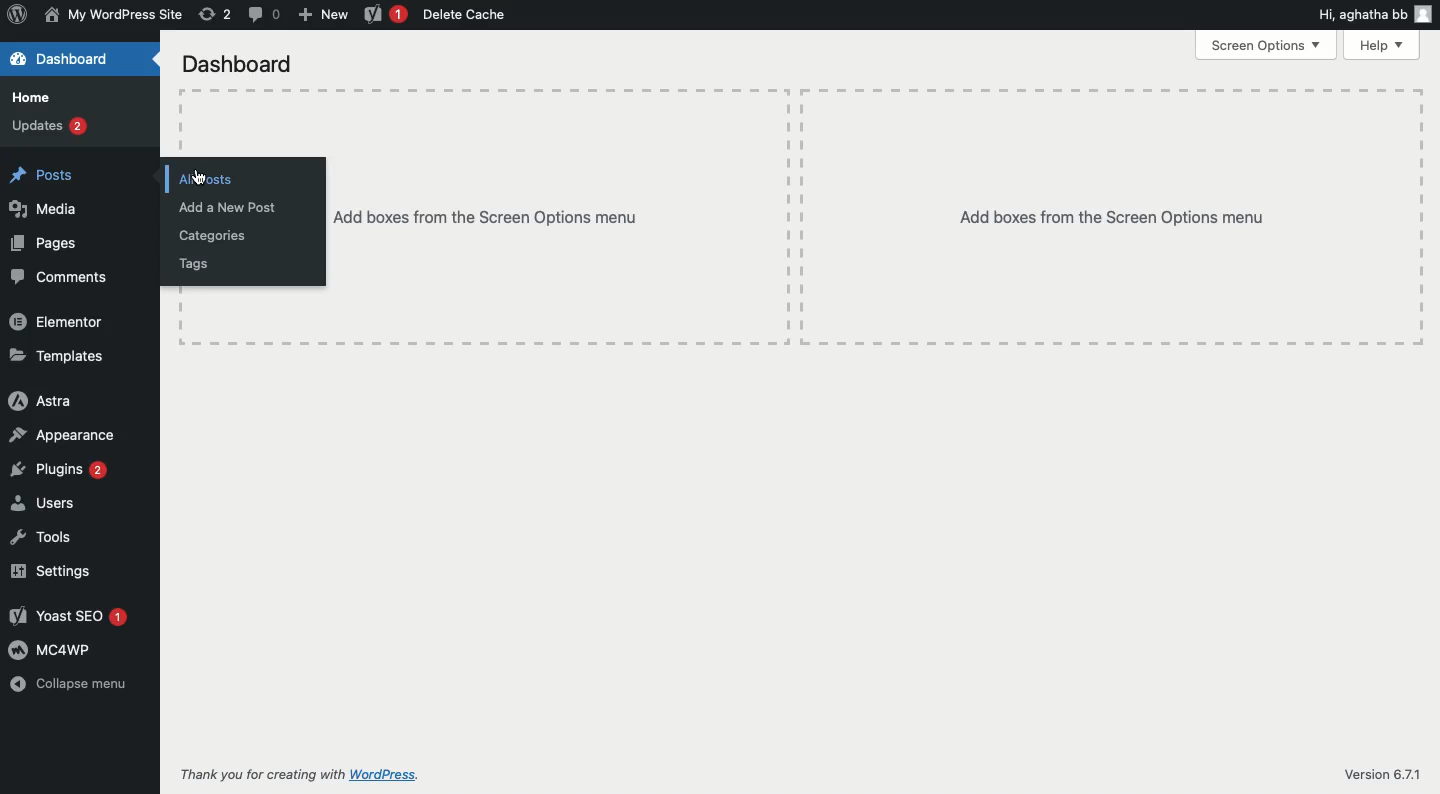  I want to click on Yoast, so click(384, 15).